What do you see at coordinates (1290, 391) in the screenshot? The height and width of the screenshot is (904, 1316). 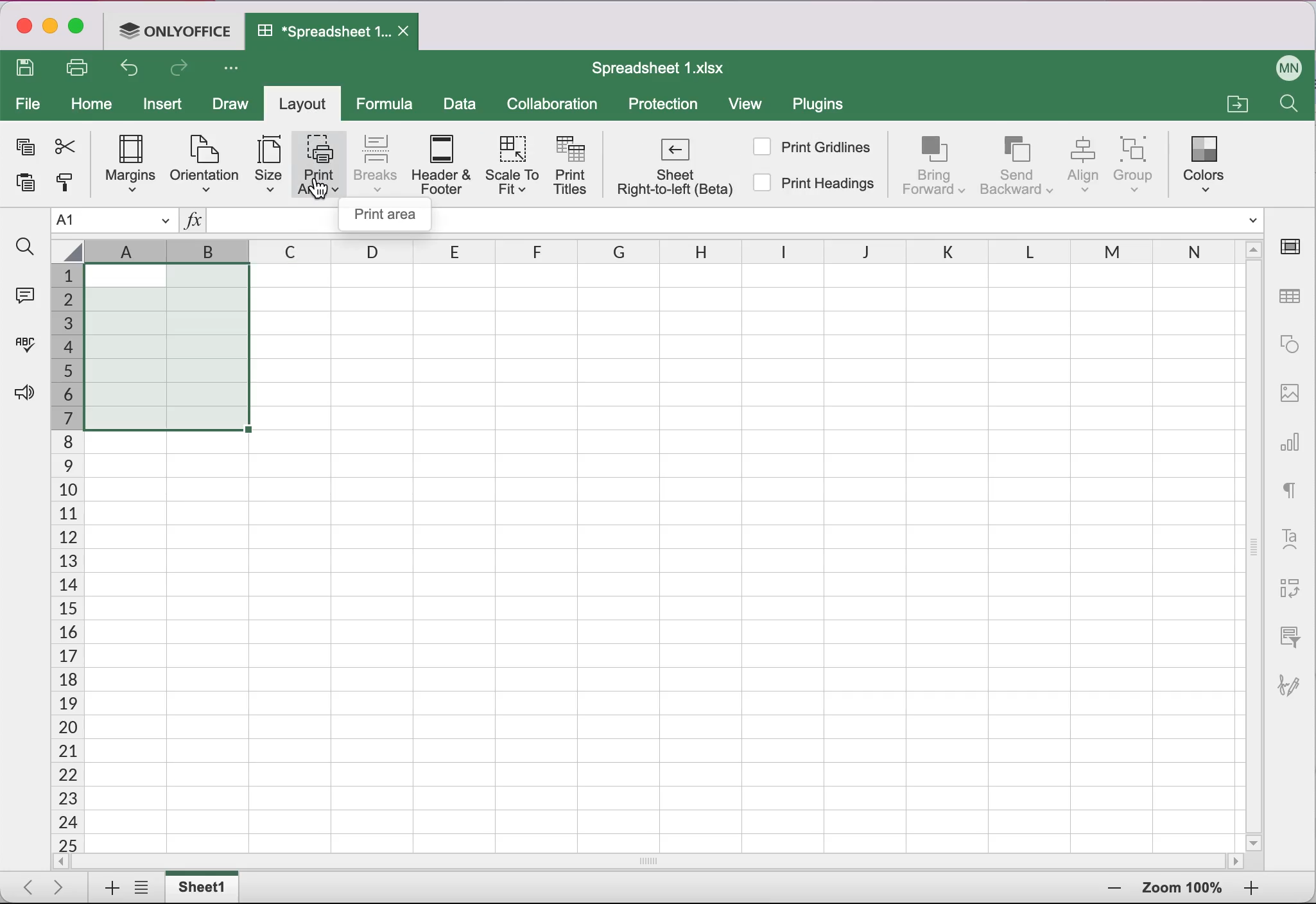 I see `image` at bounding box center [1290, 391].